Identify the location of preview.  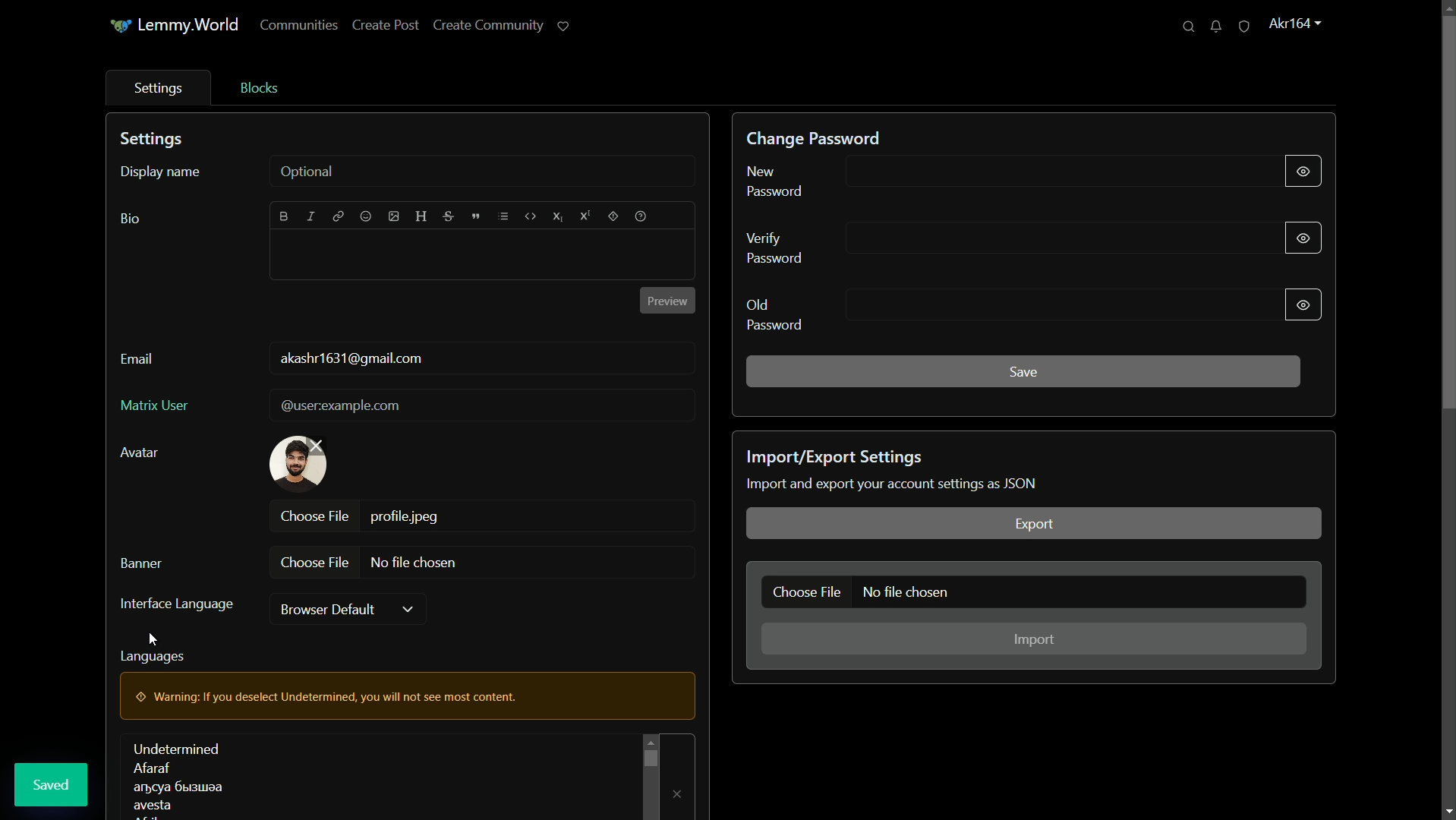
(666, 301).